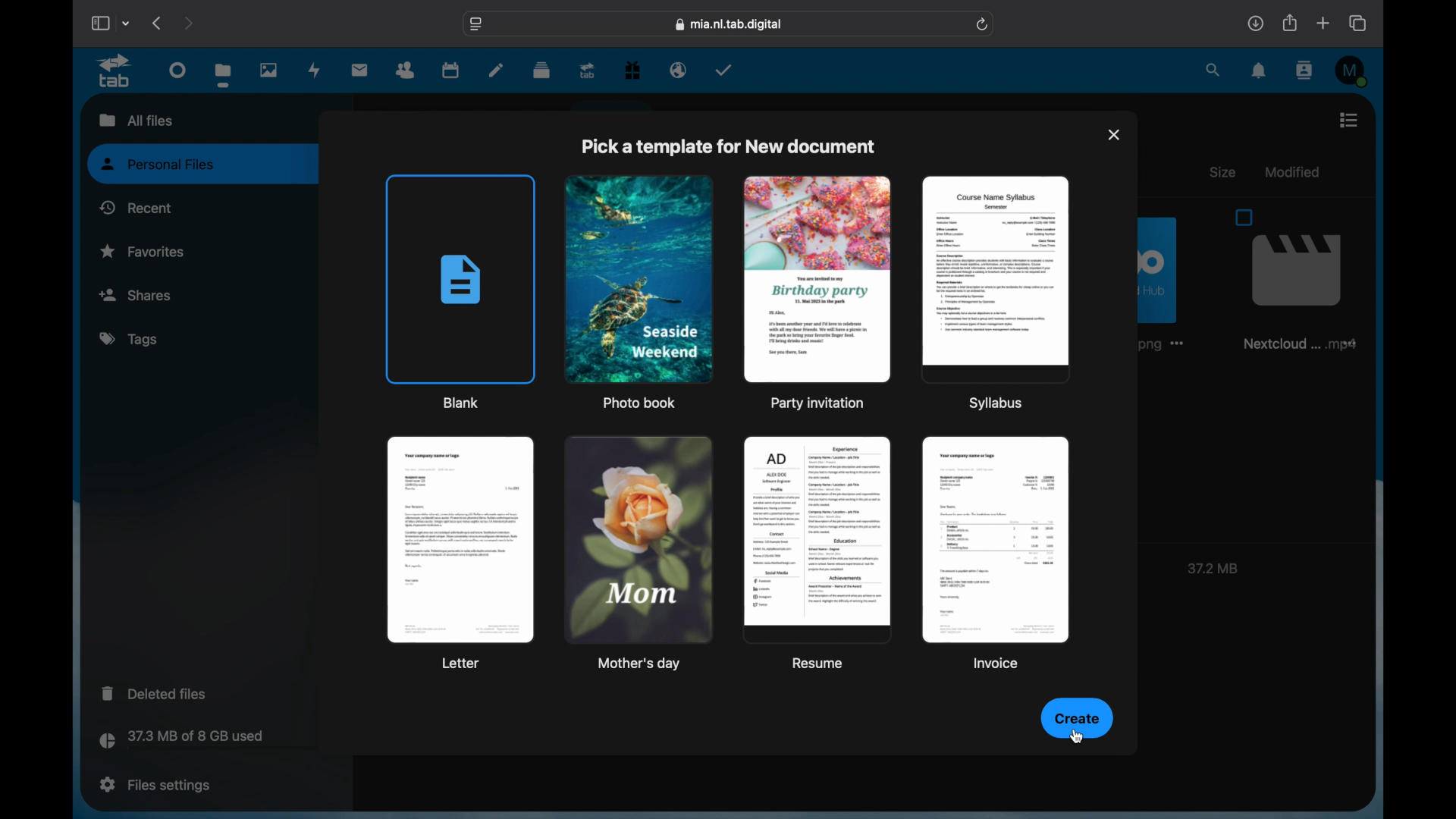 The height and width of the screenshot is (819, 1456). I want to click on syllabus, so click(996, 293).